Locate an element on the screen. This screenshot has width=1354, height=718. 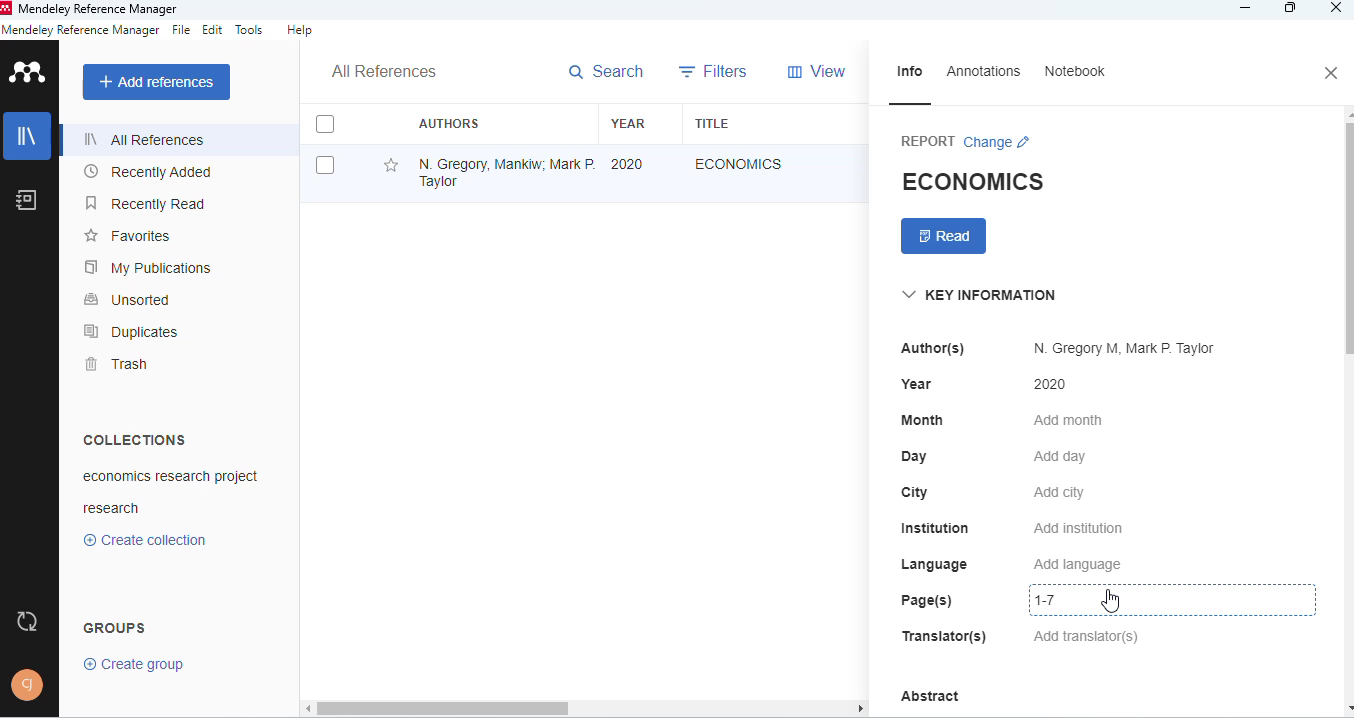
add translator(s) is located at coordinates (1087, 636).